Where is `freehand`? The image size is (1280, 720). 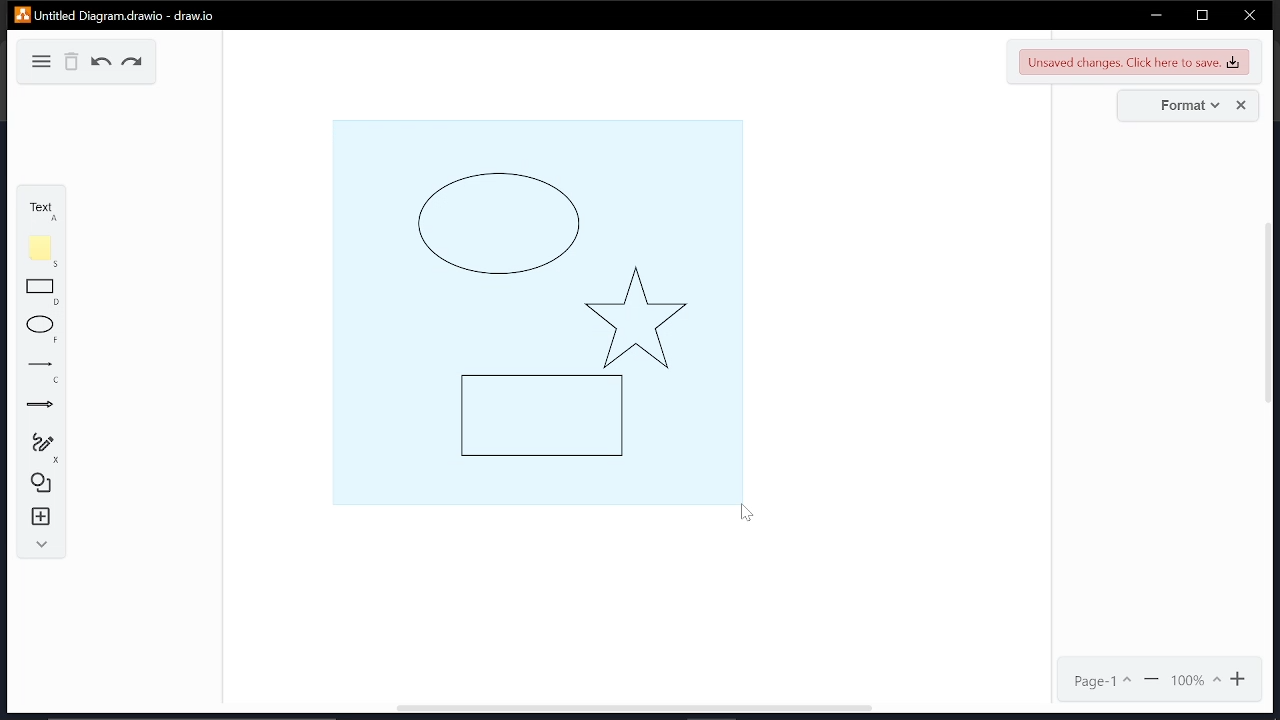 freehand is located at coordinates (42, 447).